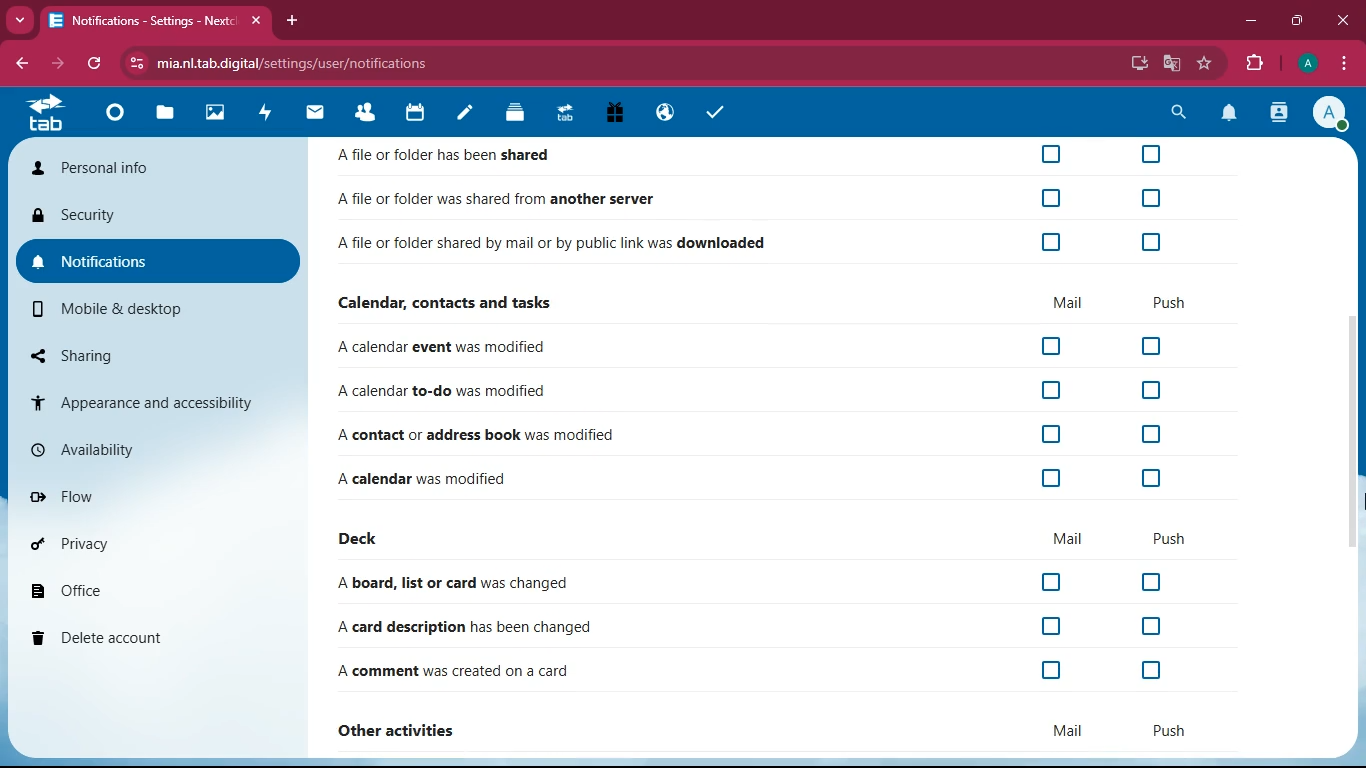 The height and width of the screenshot is (768, 1366). What do you see at coordinates (1057, 581) in the screenshot?
I see `off` at bounding box center [1057, 581].